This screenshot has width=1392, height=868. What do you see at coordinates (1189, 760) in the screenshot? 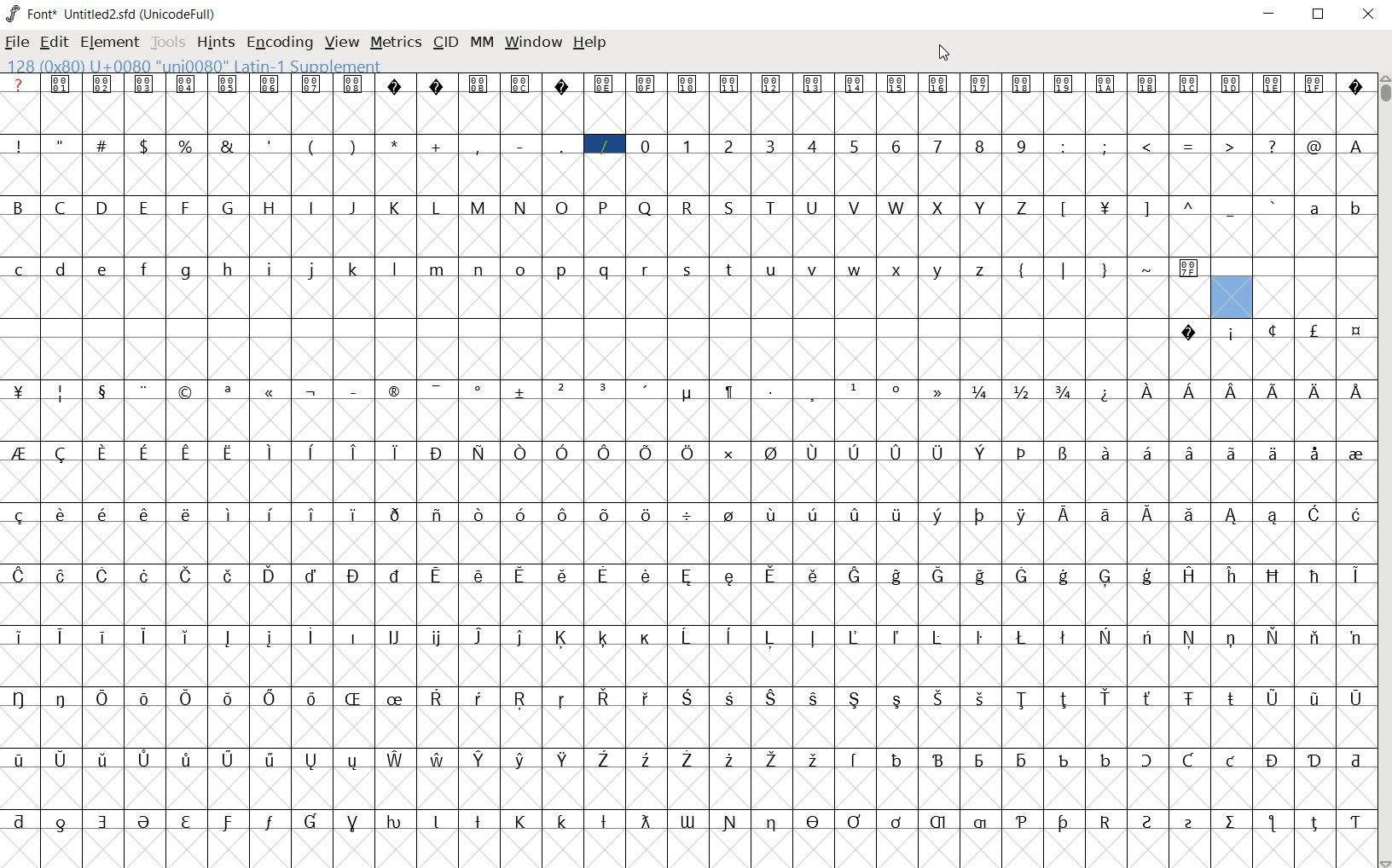
I see `glyph` at bounding box center [1189, 760].